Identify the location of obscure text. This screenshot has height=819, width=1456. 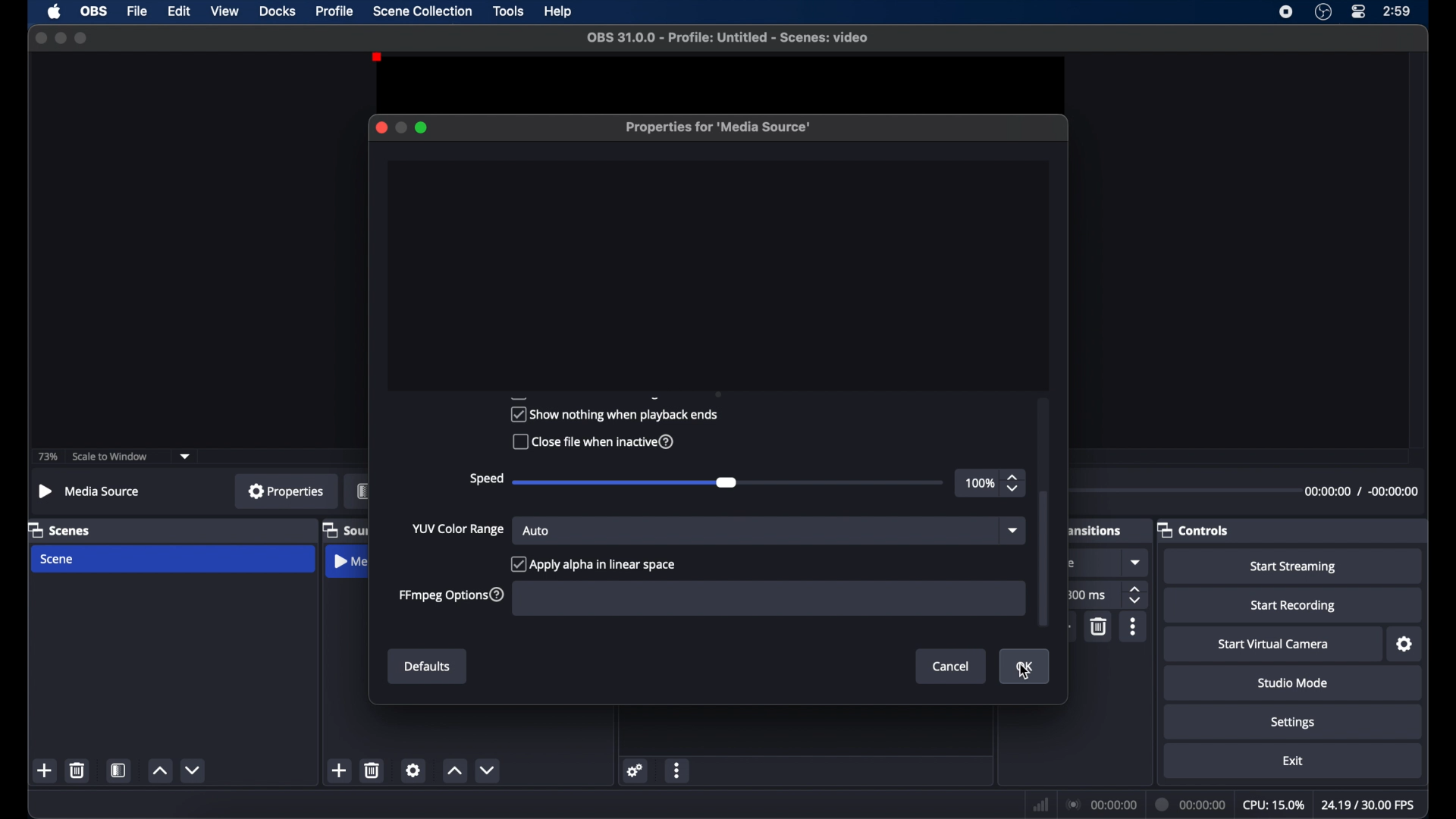
(1069, 563).